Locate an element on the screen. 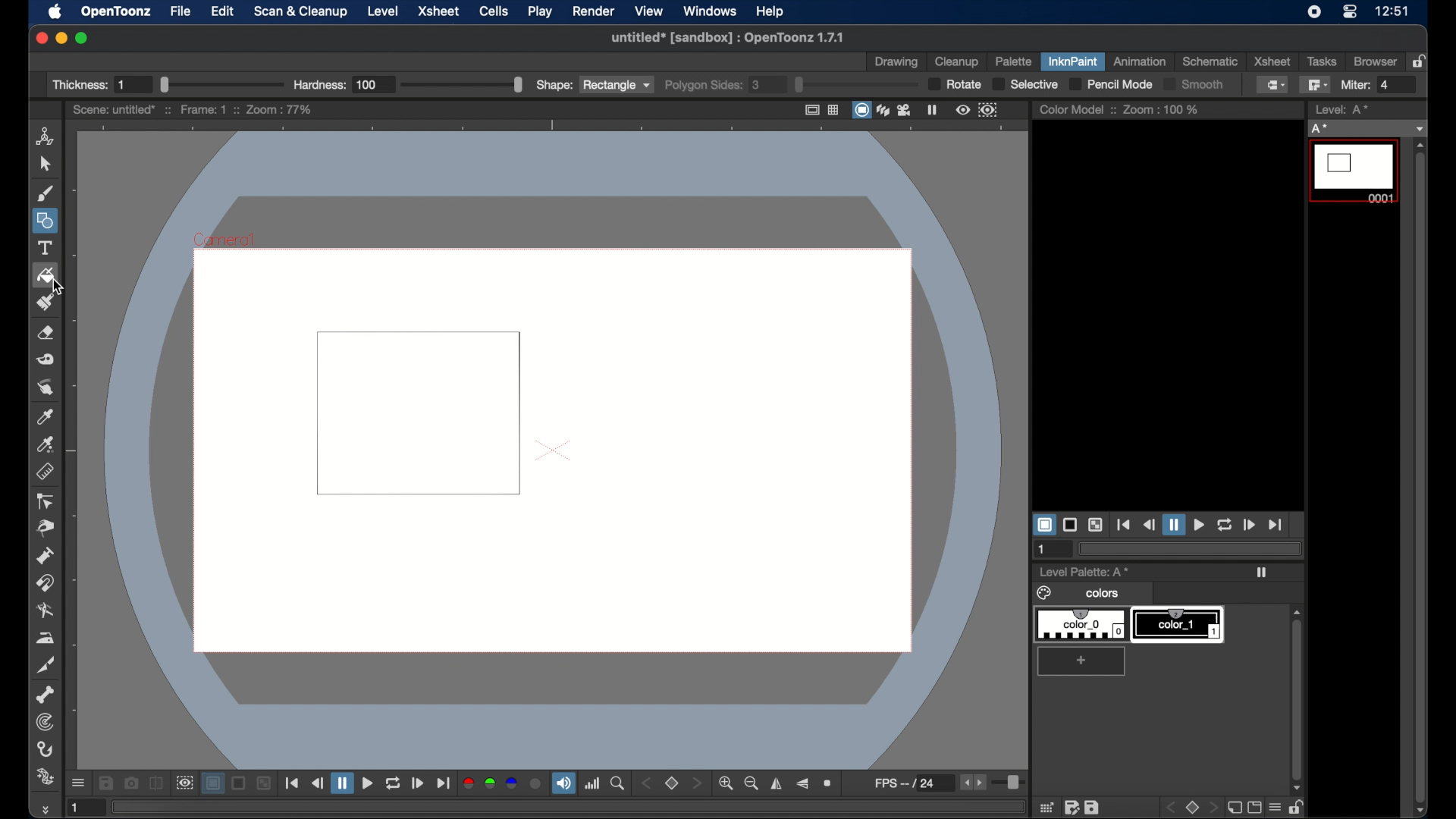 Image resolution: width=1456 pixels, height=819 pixels. scroll up arrow is located at coordinates (1420, 145).